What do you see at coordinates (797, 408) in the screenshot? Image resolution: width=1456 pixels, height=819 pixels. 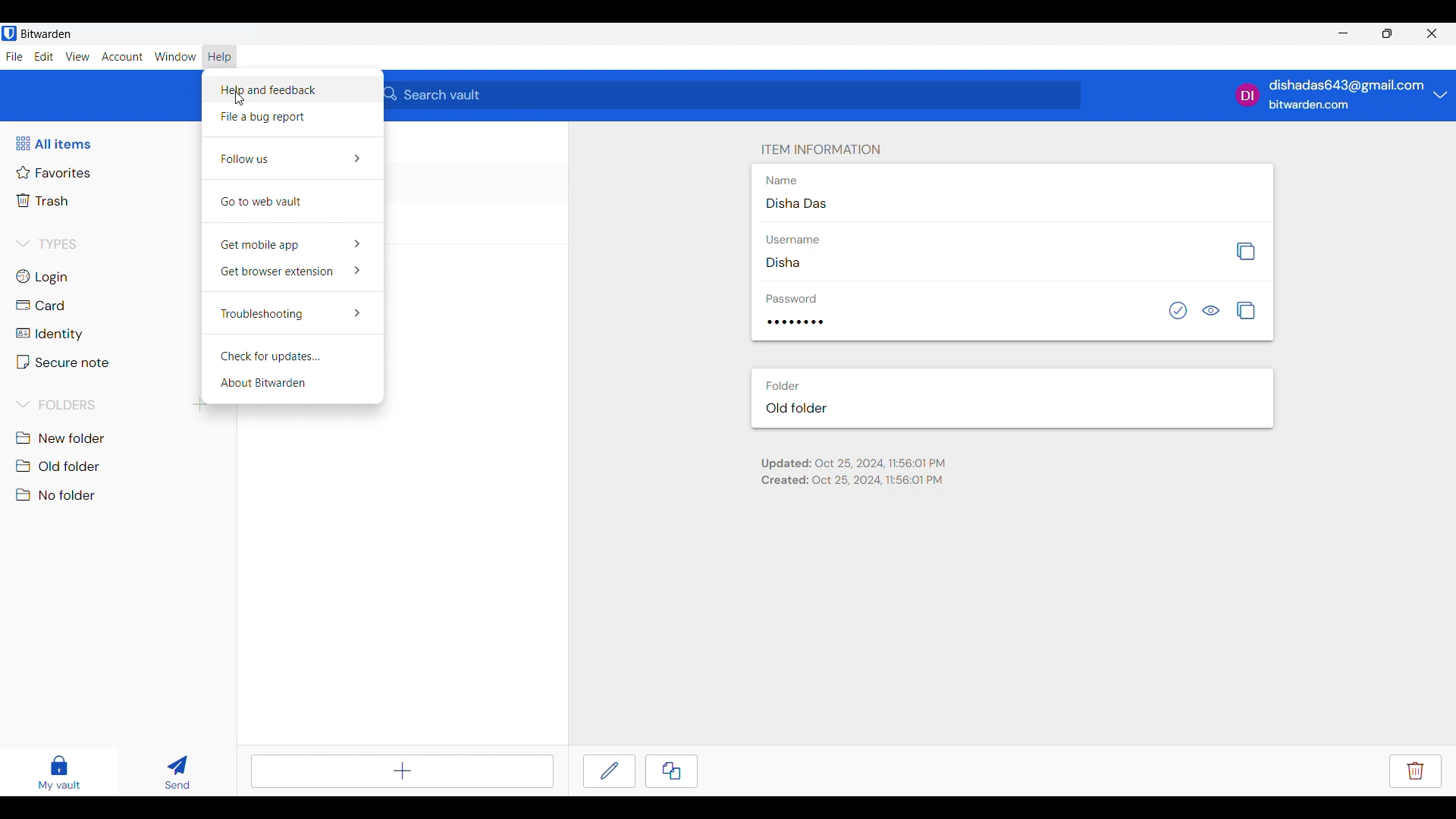 I see `Old folder` at bounding box center [797, 408].